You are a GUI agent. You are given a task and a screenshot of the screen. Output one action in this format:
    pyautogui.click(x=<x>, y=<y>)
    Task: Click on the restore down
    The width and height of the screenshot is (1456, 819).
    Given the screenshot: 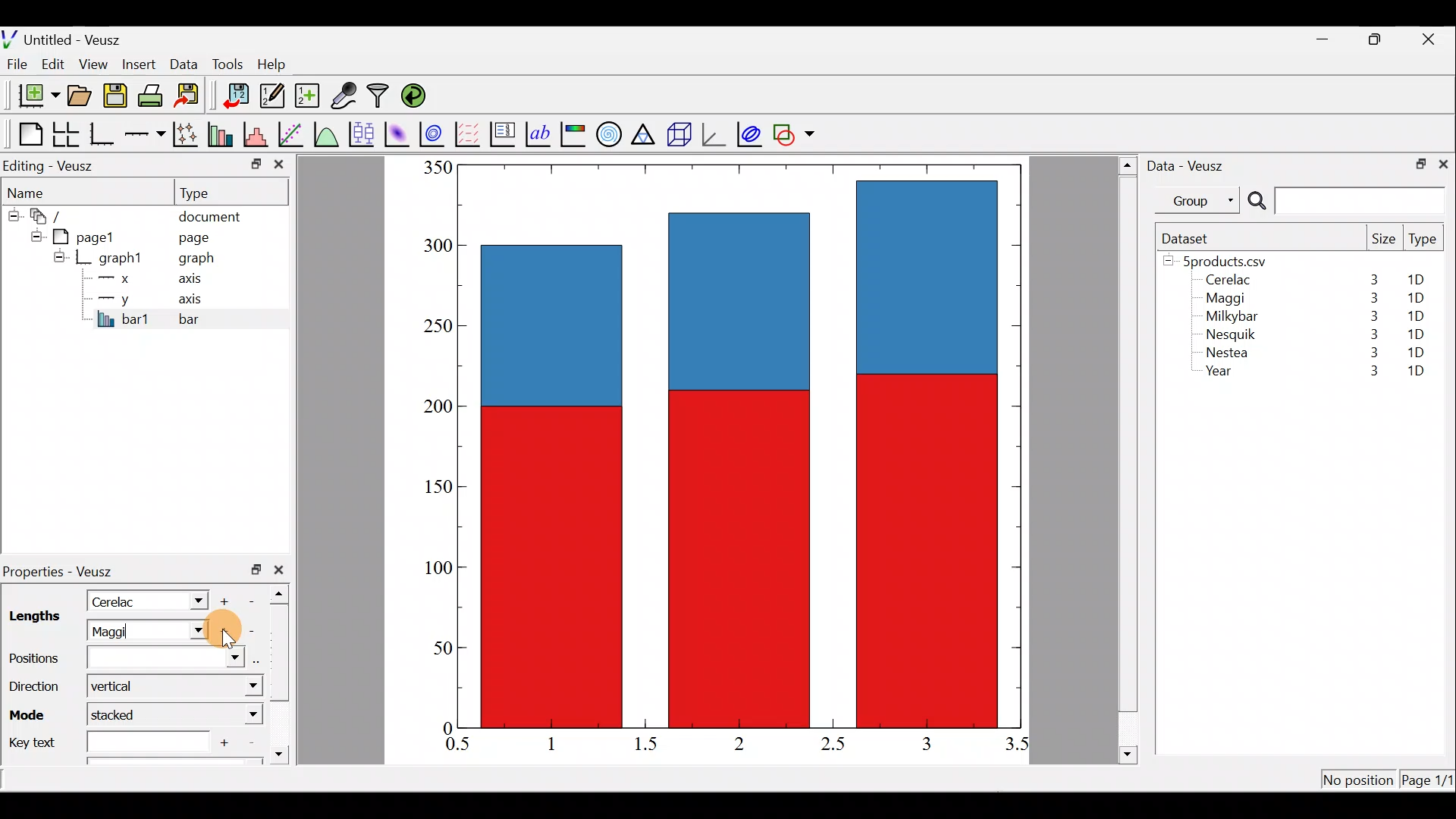 What is the action you would take?
    pyautogui.click(x=256, y=570)
    